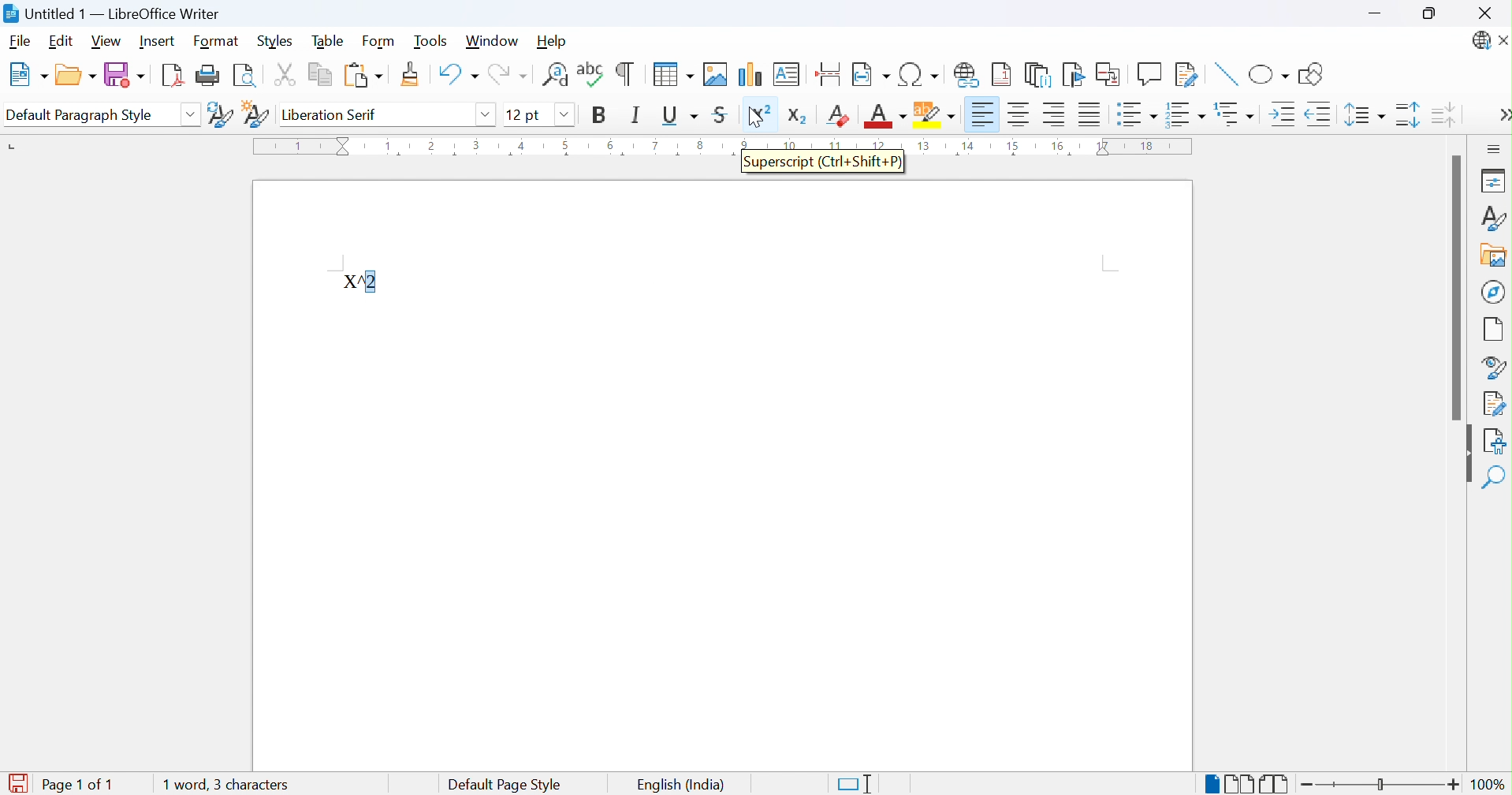 The width and height of the screenshot is (1512, 795). I want to click on Insert endnote, so click(1041, 76).